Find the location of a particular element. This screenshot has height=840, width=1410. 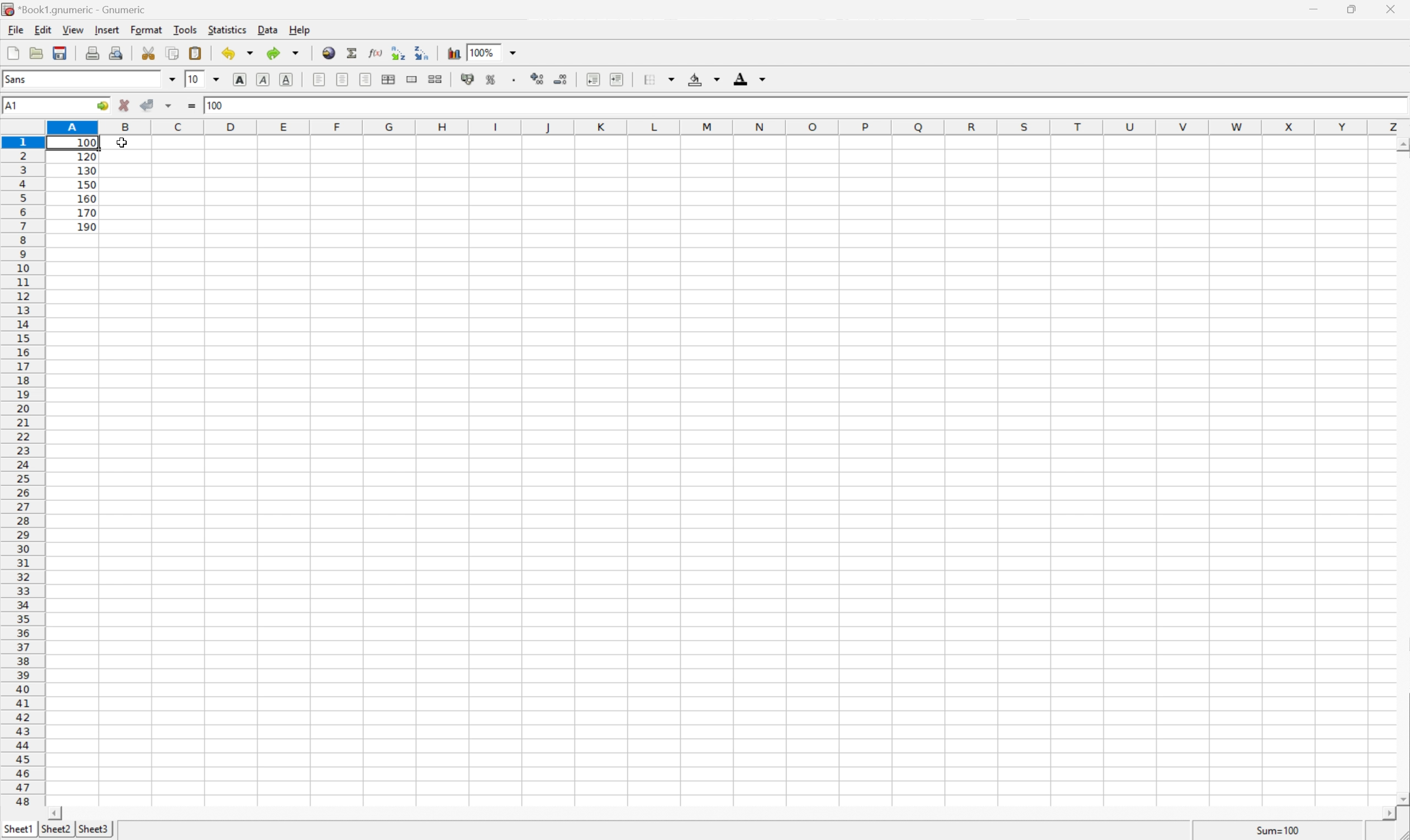

Sum into current cell is located at coordinates (350, 52).